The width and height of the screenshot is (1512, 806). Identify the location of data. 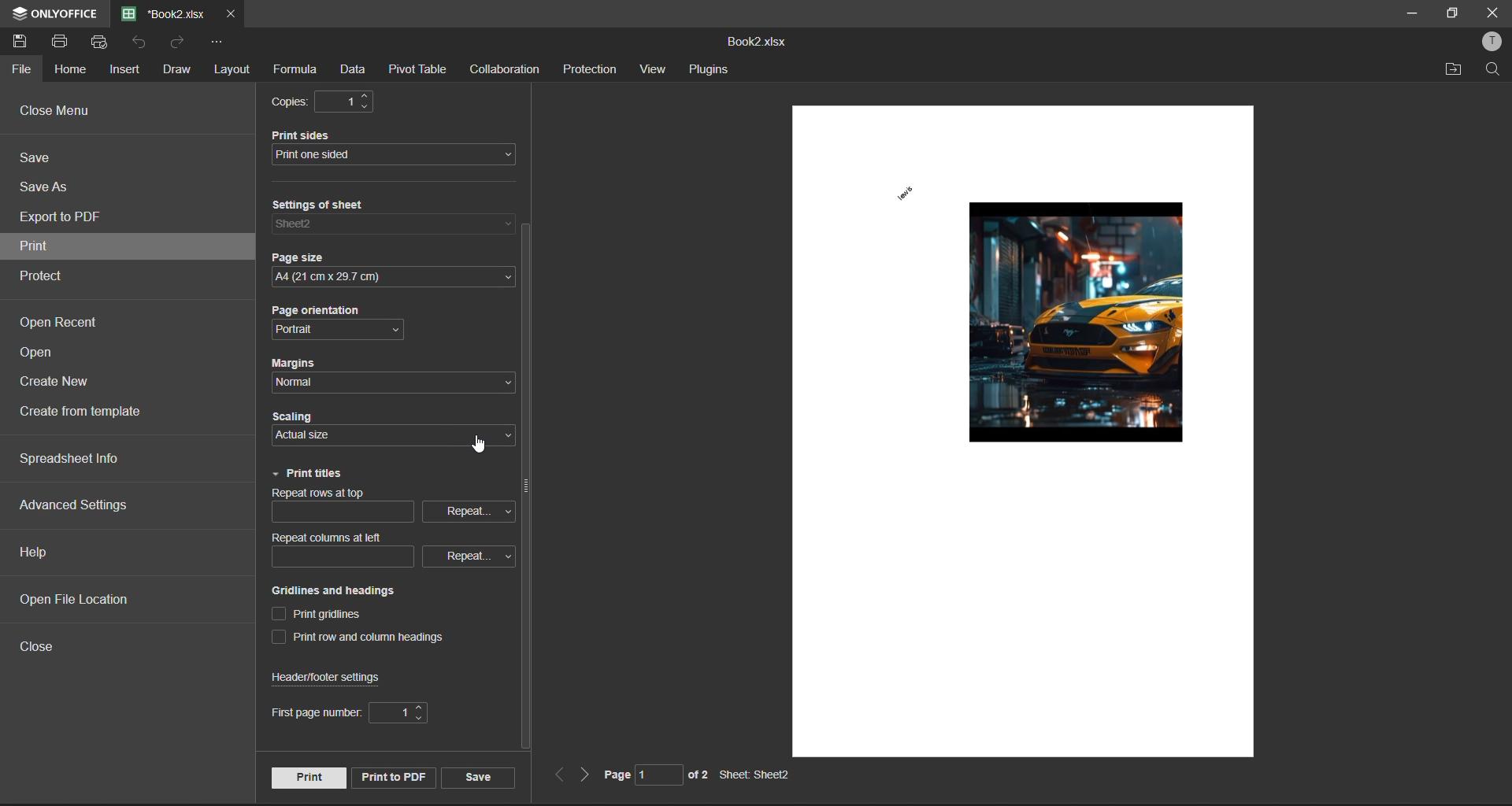
(358, 68).